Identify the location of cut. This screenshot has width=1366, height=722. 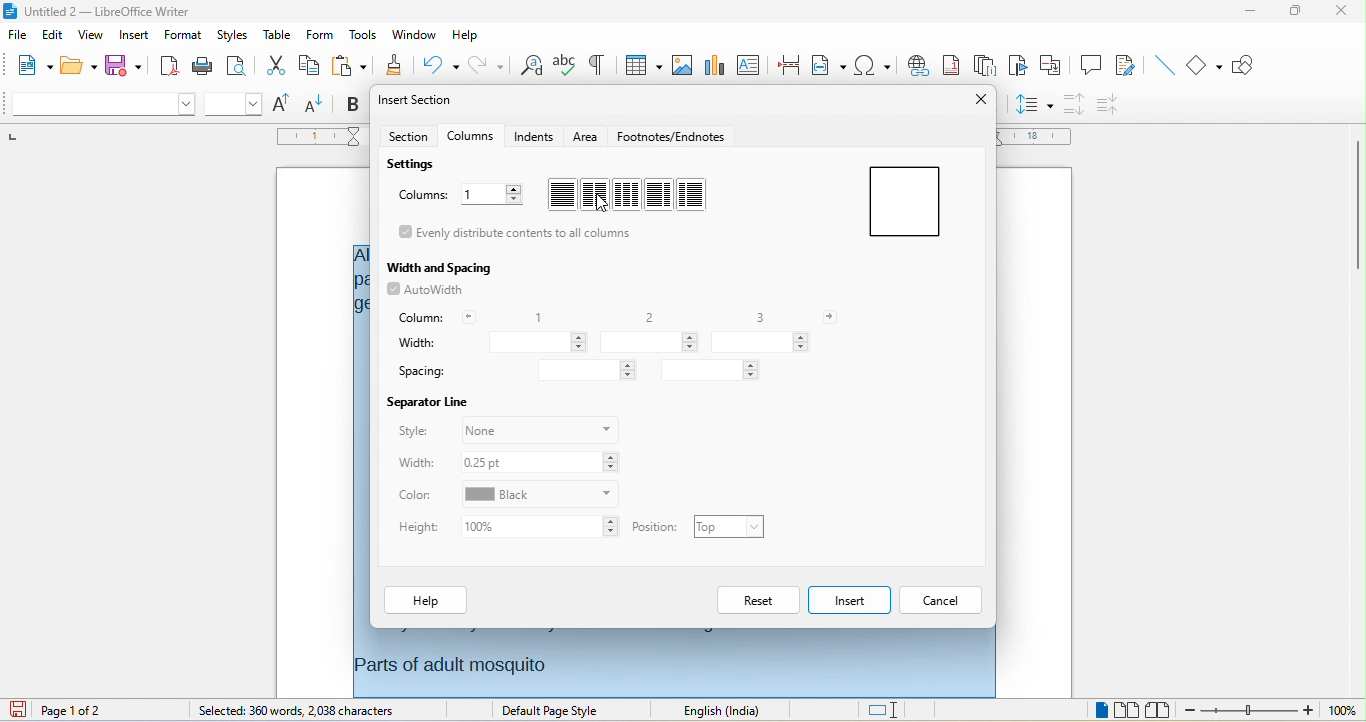
(273, 66).